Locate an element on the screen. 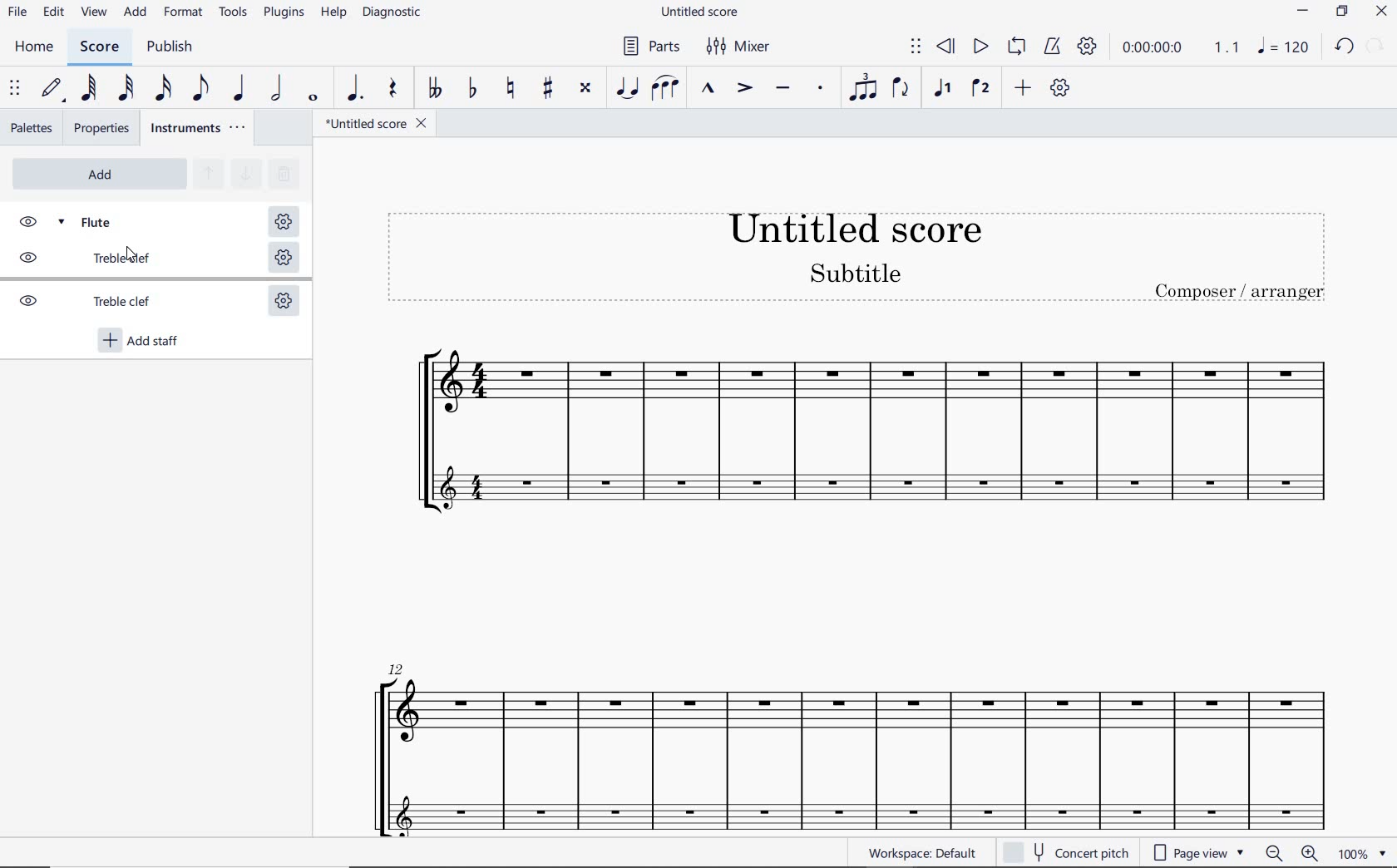 The image size is (1397, 868). SLUR is located at coordinates (665, 88).